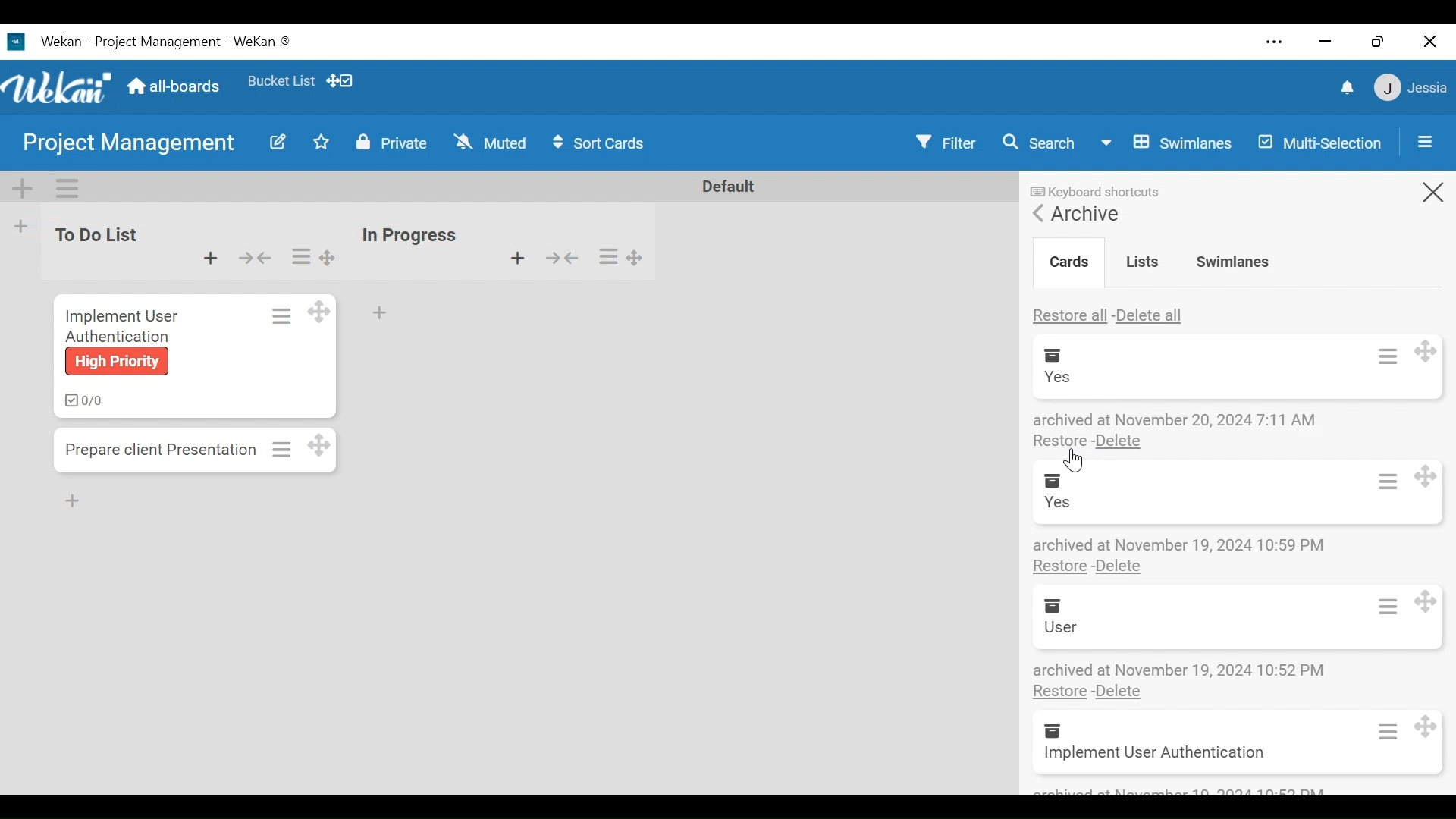 Image resolution: width=1456 pixels, height=819 pixels. Describe the element at coordinates (635, 259) in the screenshot. I see `Desktop drag handles` at that location.